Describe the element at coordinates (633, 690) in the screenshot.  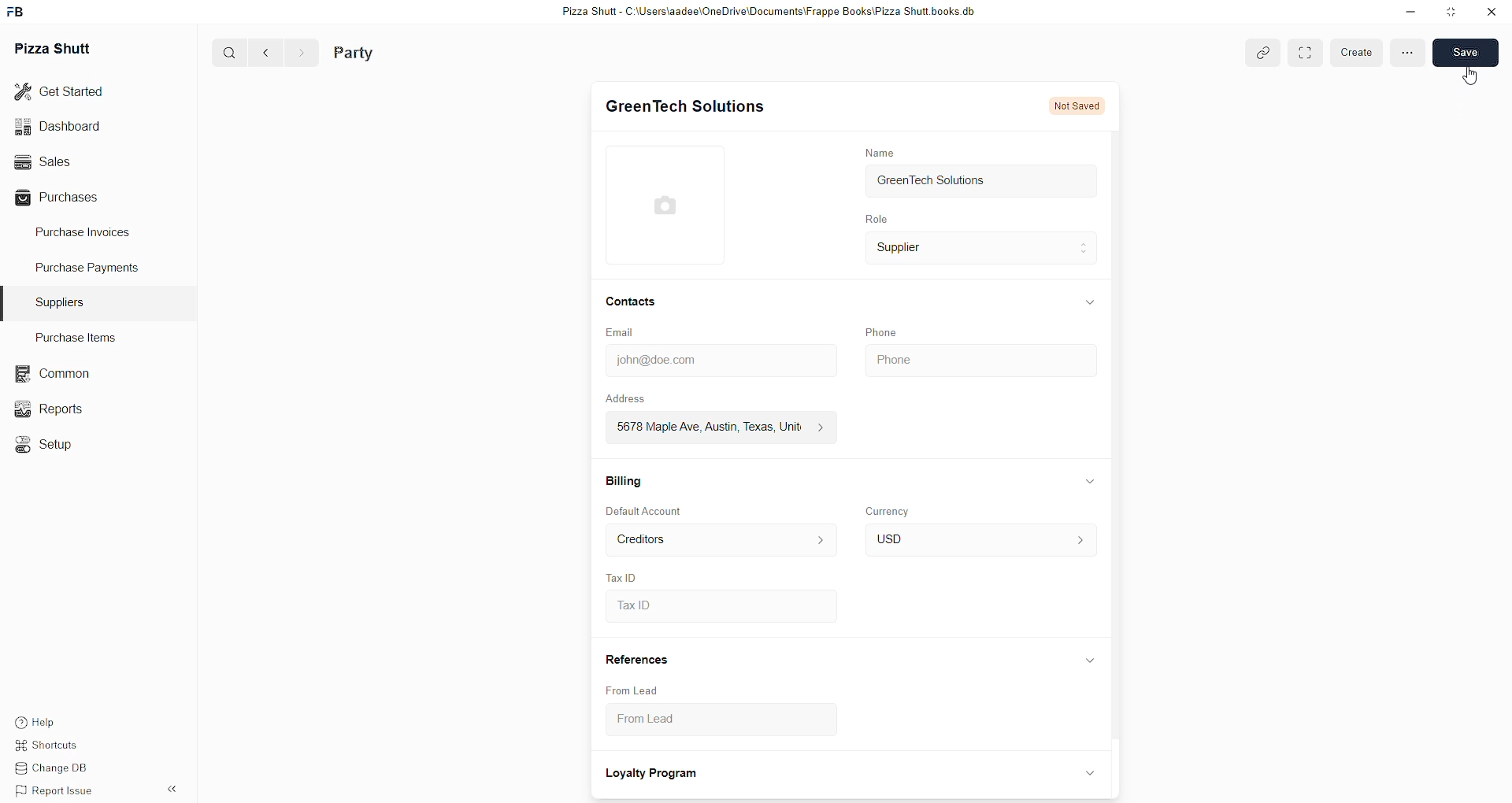
I see `From Lead` at that location.